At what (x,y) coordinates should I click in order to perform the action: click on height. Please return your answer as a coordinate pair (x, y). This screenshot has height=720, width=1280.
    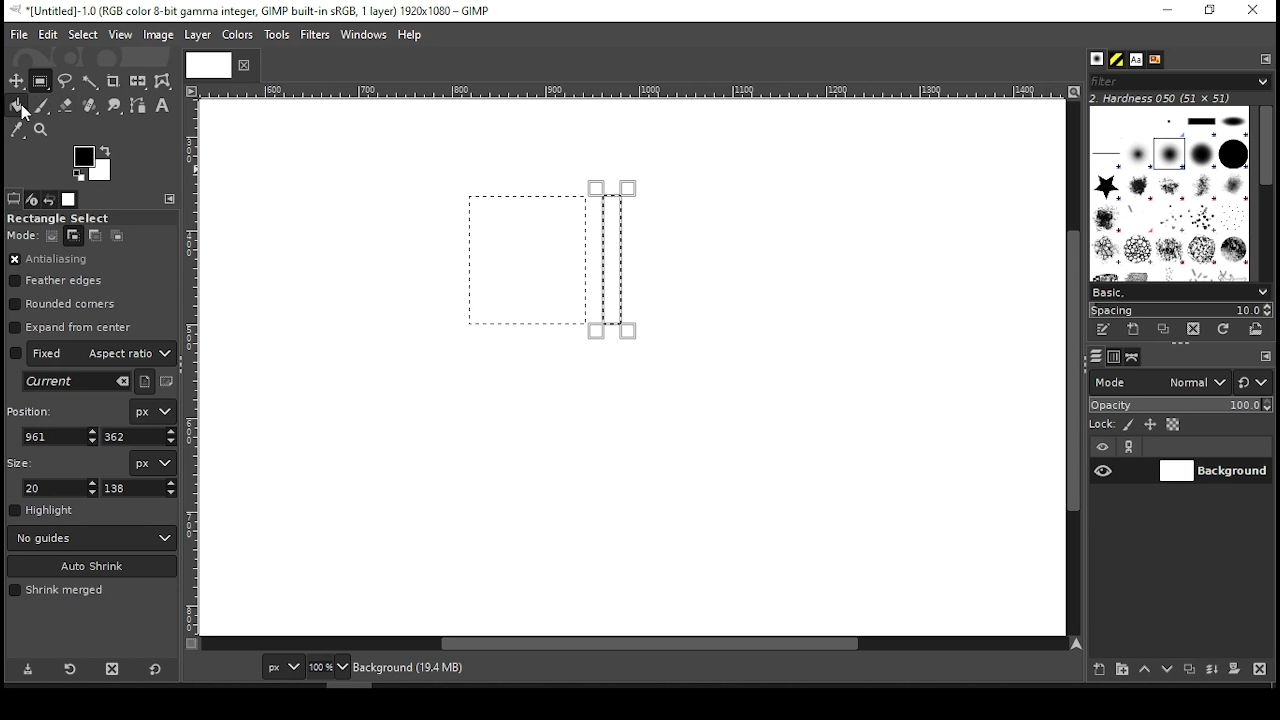
    Looking at the image, I should click on (140, 488).